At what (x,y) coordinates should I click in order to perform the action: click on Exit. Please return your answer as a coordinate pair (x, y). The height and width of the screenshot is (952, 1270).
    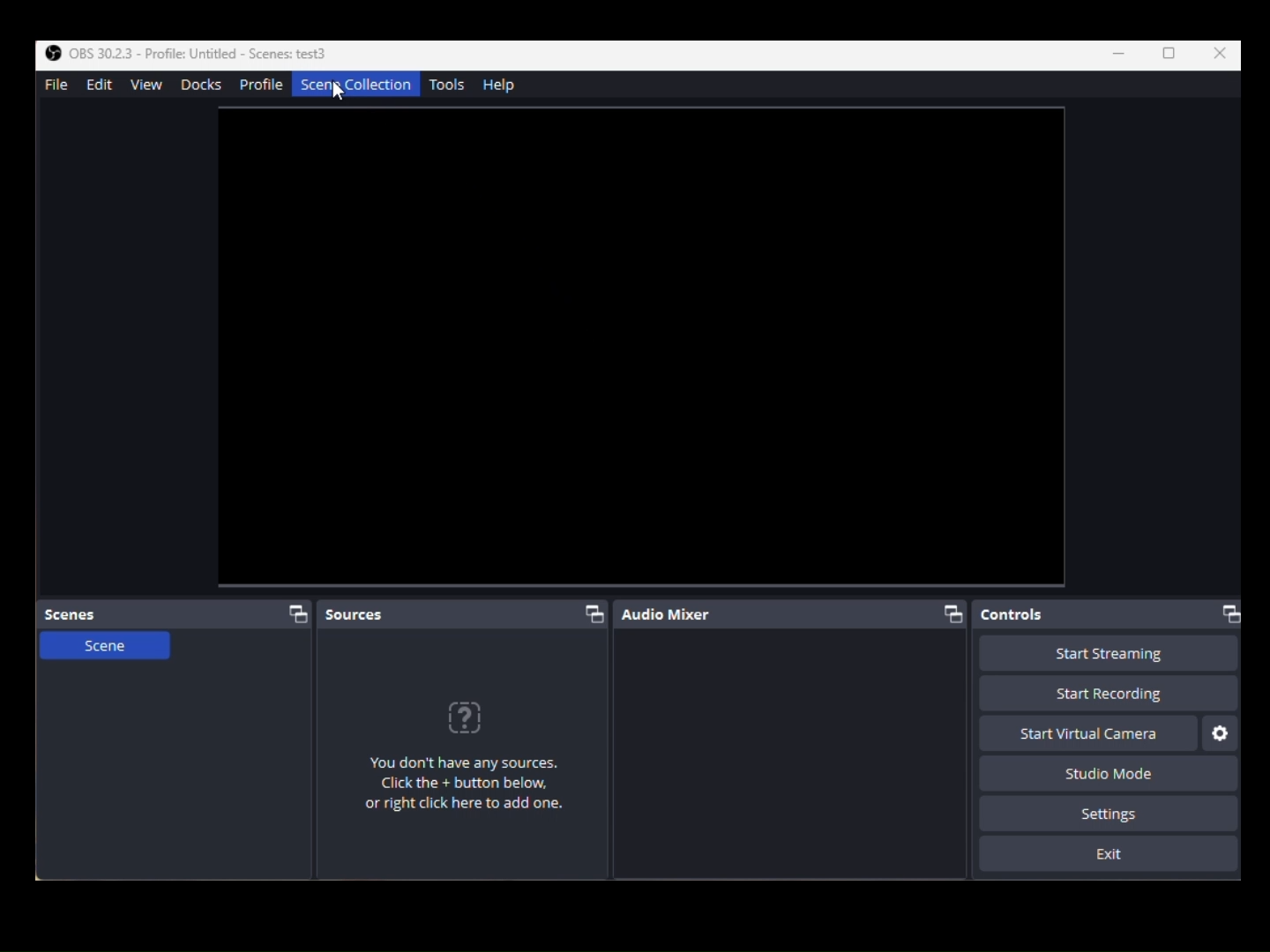
    Looking at the image, I should click on (1109, 855).